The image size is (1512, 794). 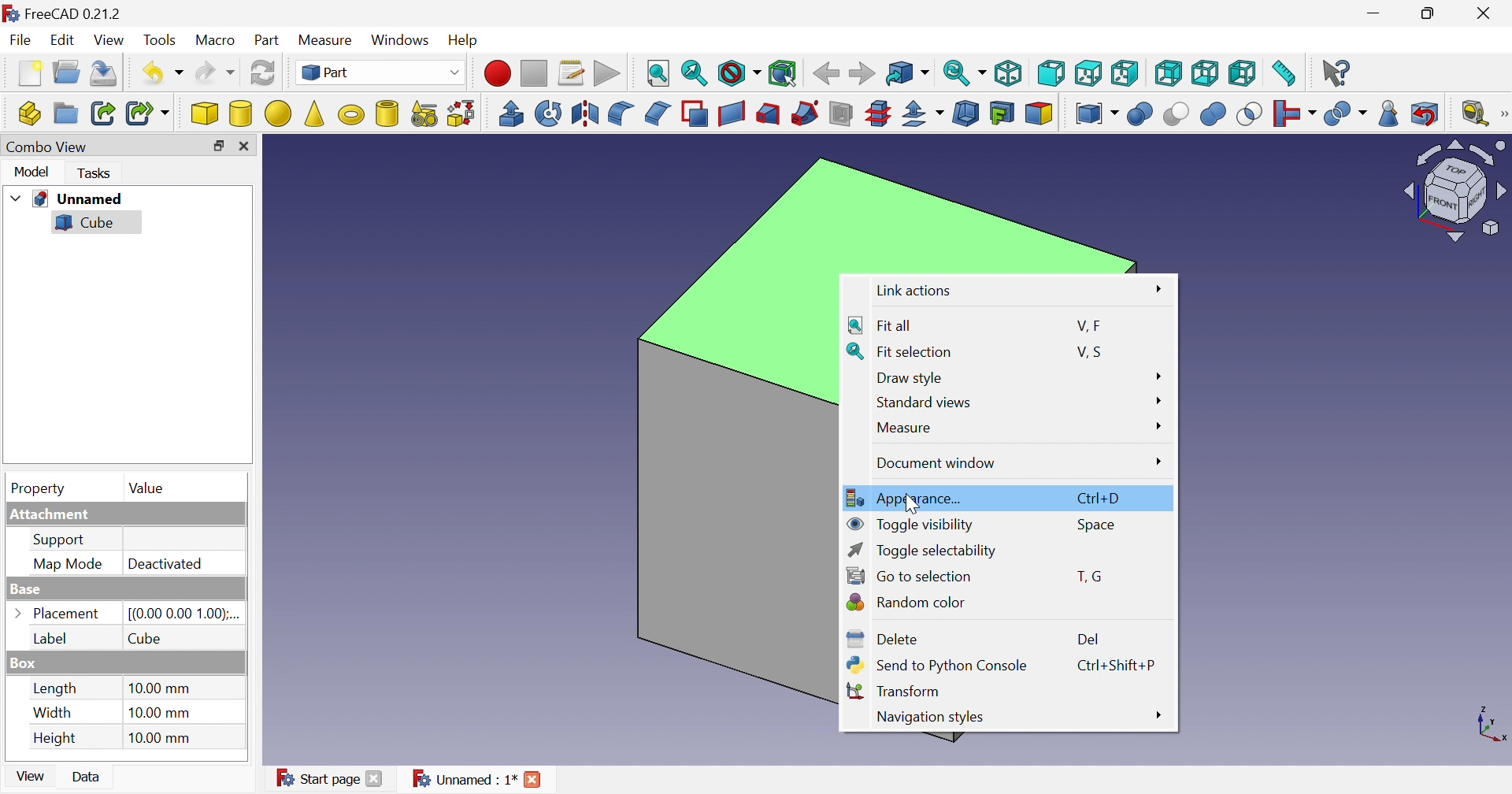 What do you see at coordinates (1251, 113) in the screenshot?
I see `Intersection` at bounding box center [1251, 113].